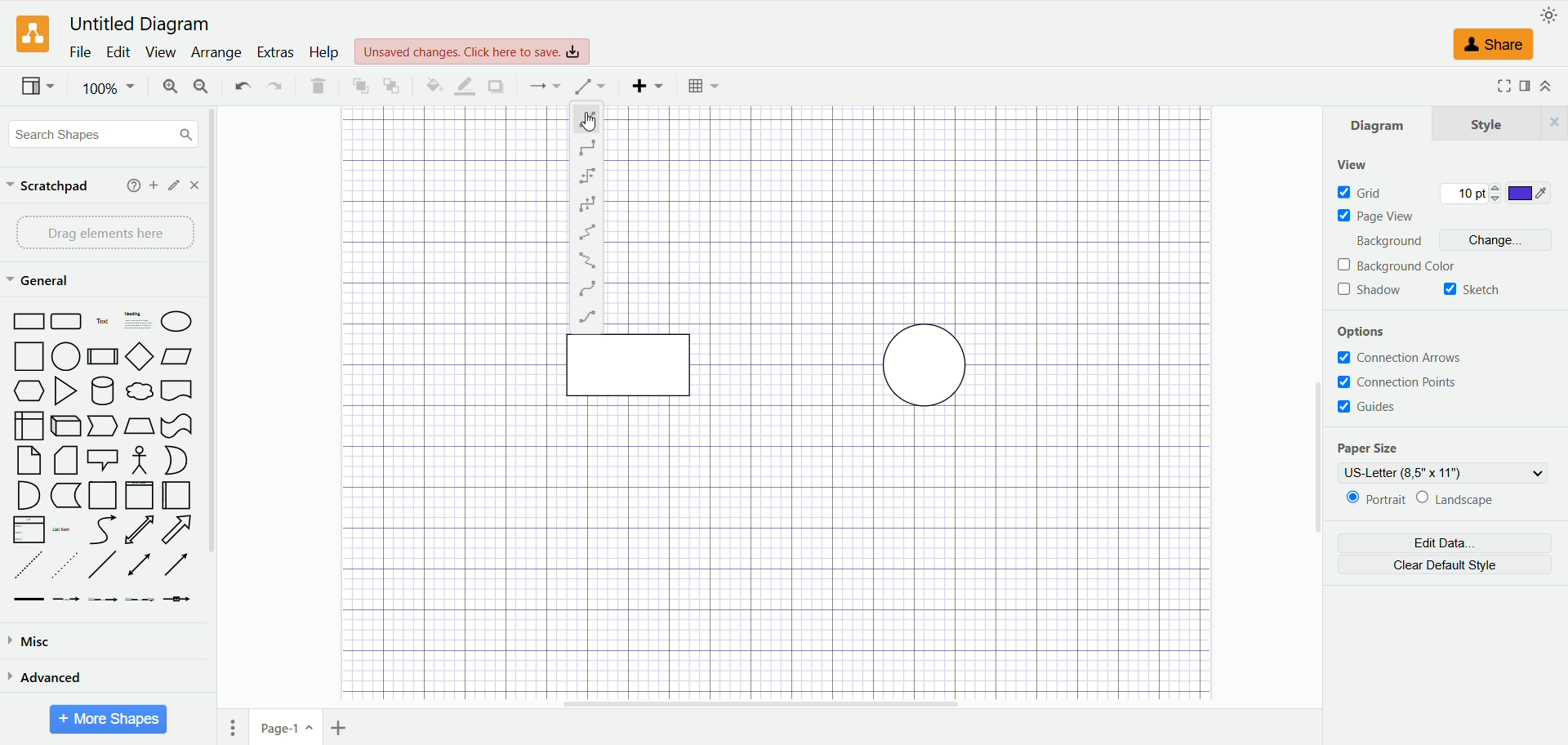  Describe the element at coordinates (65, 460) in the screenshot. I see `Folded Corner Page` at that location.